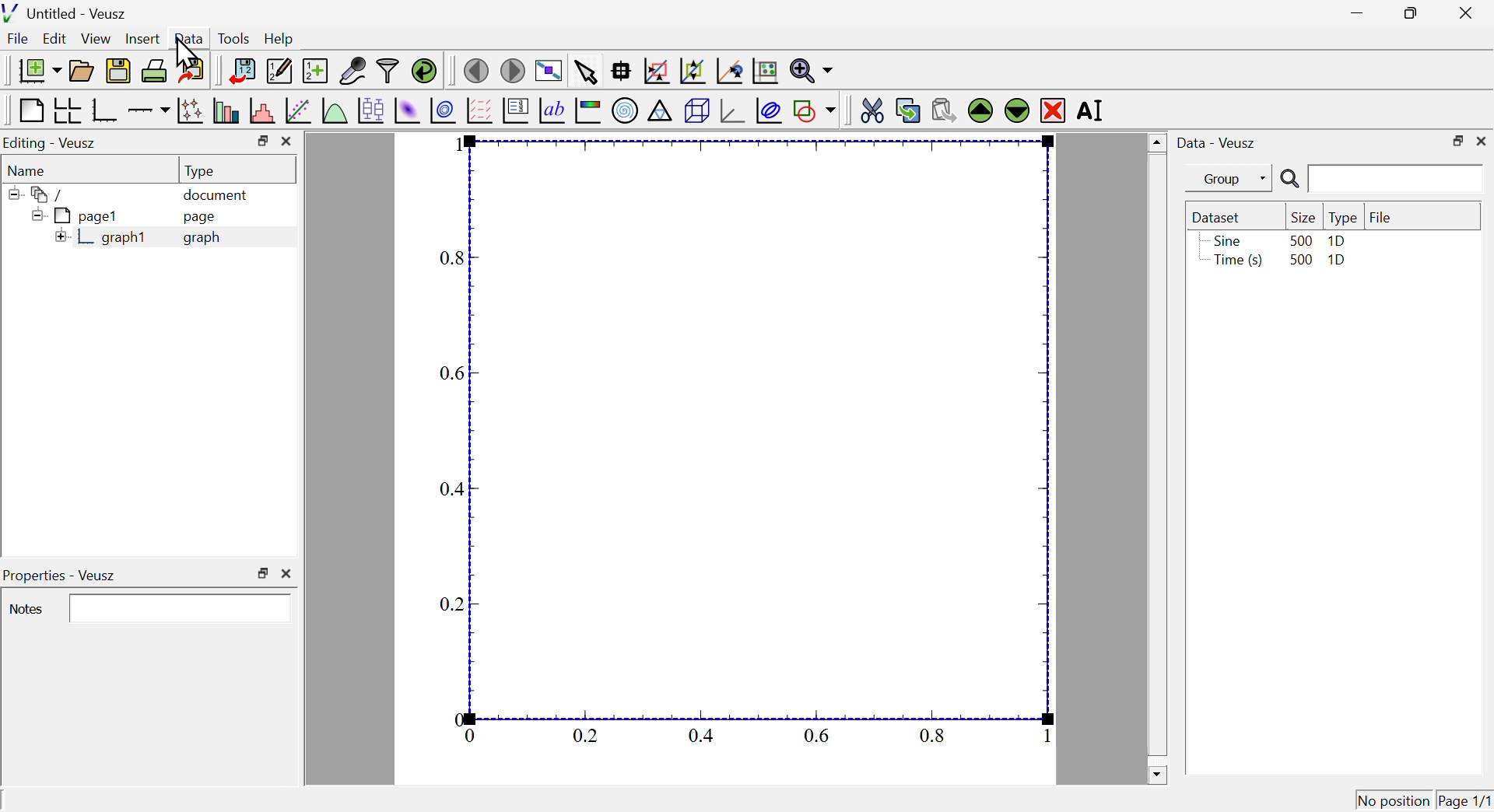 This screenshot has width=1494, height=812. Describe the element at coordinates (149, 110) in the screenshot. I see `add an axis to the plot` at that location.